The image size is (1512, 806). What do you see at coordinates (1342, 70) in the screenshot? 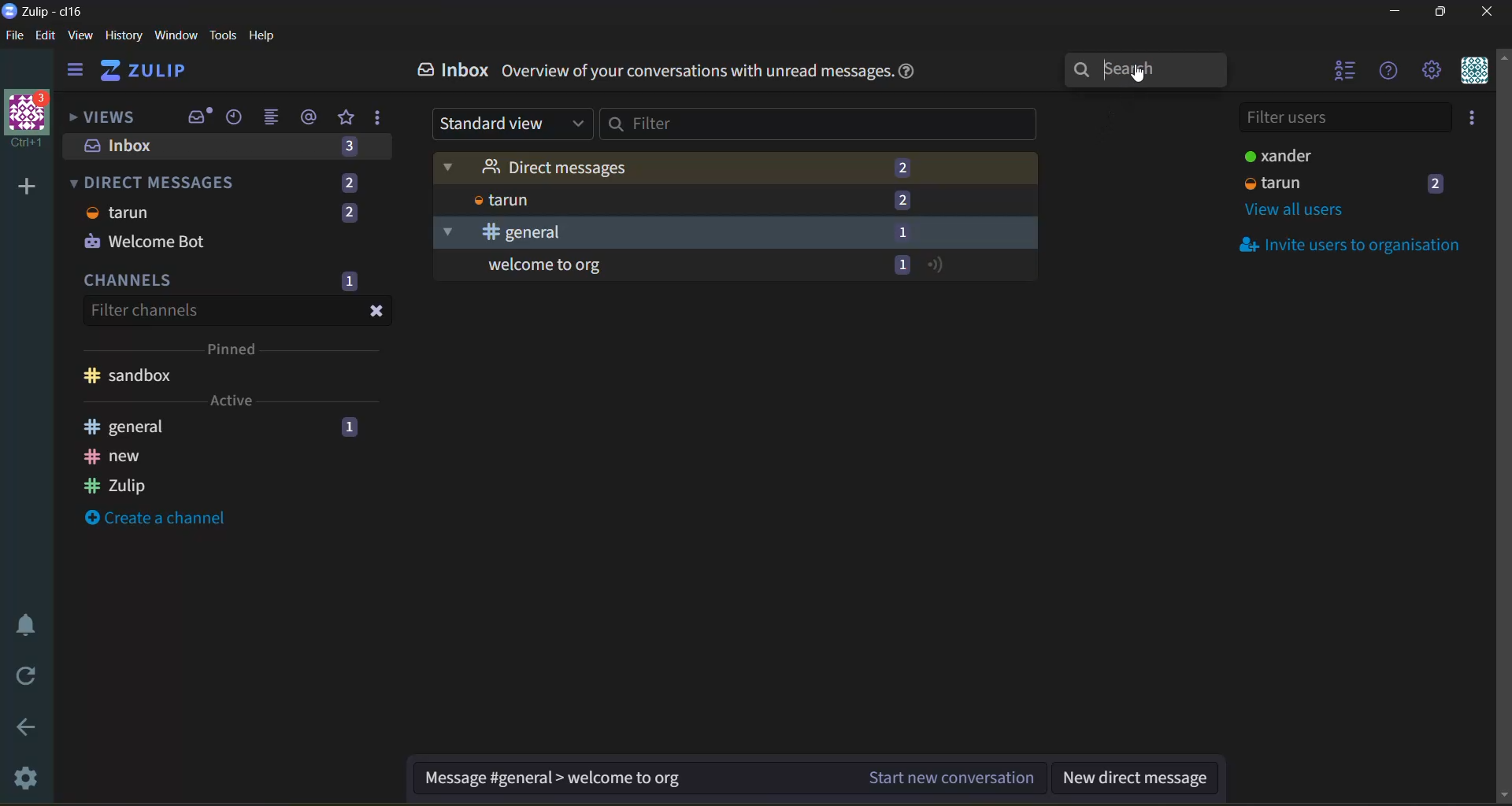
I see `hide users list` at bounding box center [1342, 70].